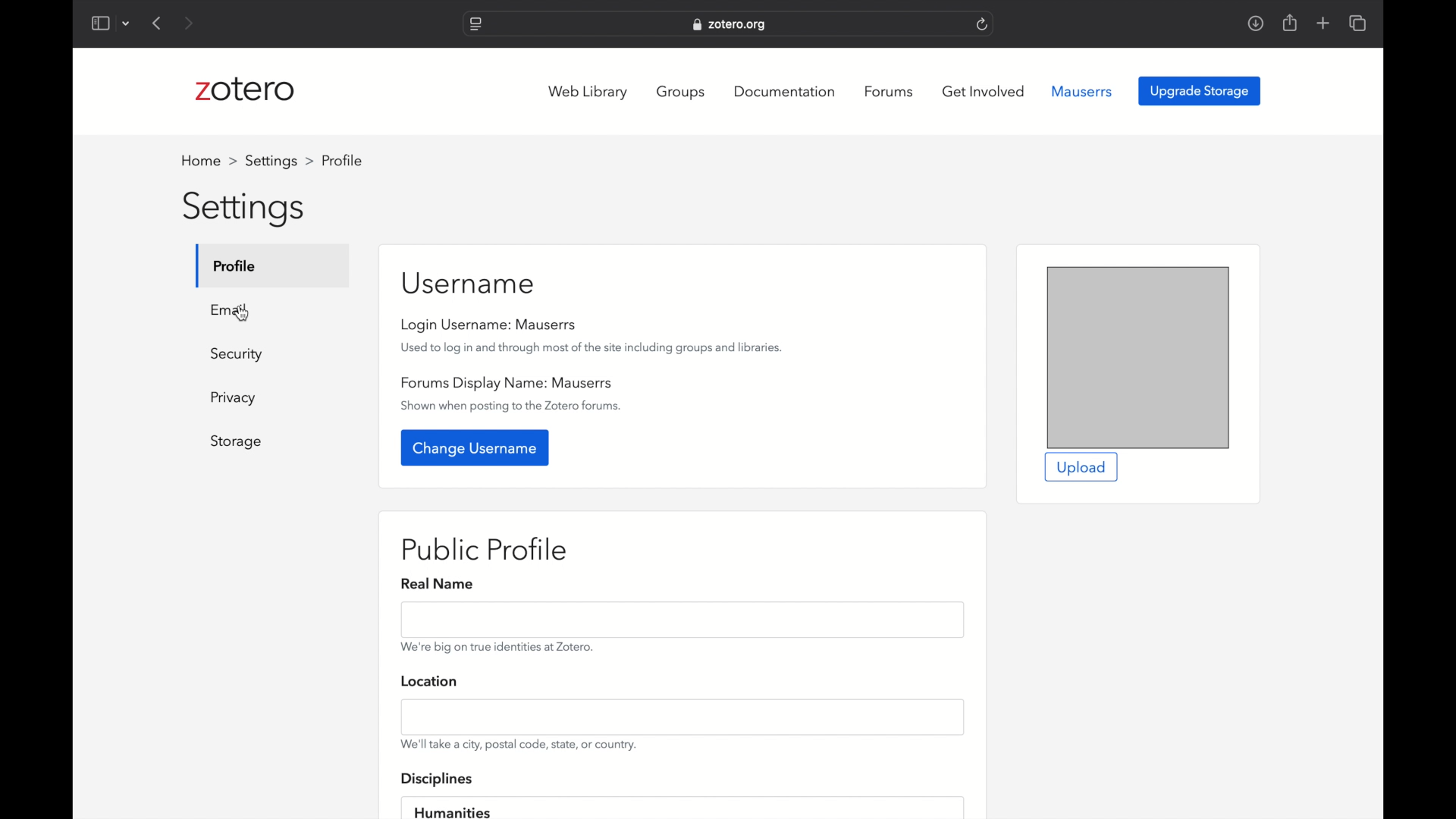  What do you see at coordinates (279, 161) in the screenshot?
I see `settings` at bounding box center [279, 161].